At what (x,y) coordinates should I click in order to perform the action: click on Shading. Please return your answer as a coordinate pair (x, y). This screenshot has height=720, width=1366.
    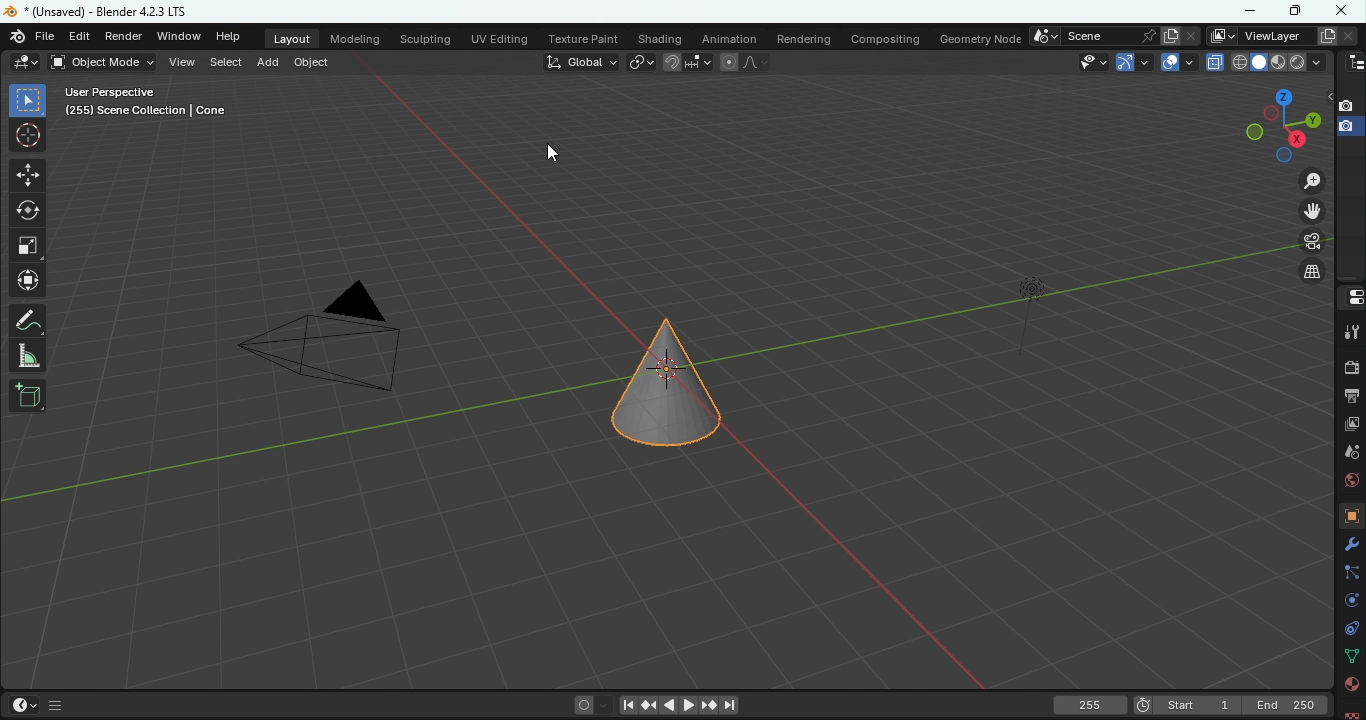
    Looking at the image, I should click on (1317, 62).